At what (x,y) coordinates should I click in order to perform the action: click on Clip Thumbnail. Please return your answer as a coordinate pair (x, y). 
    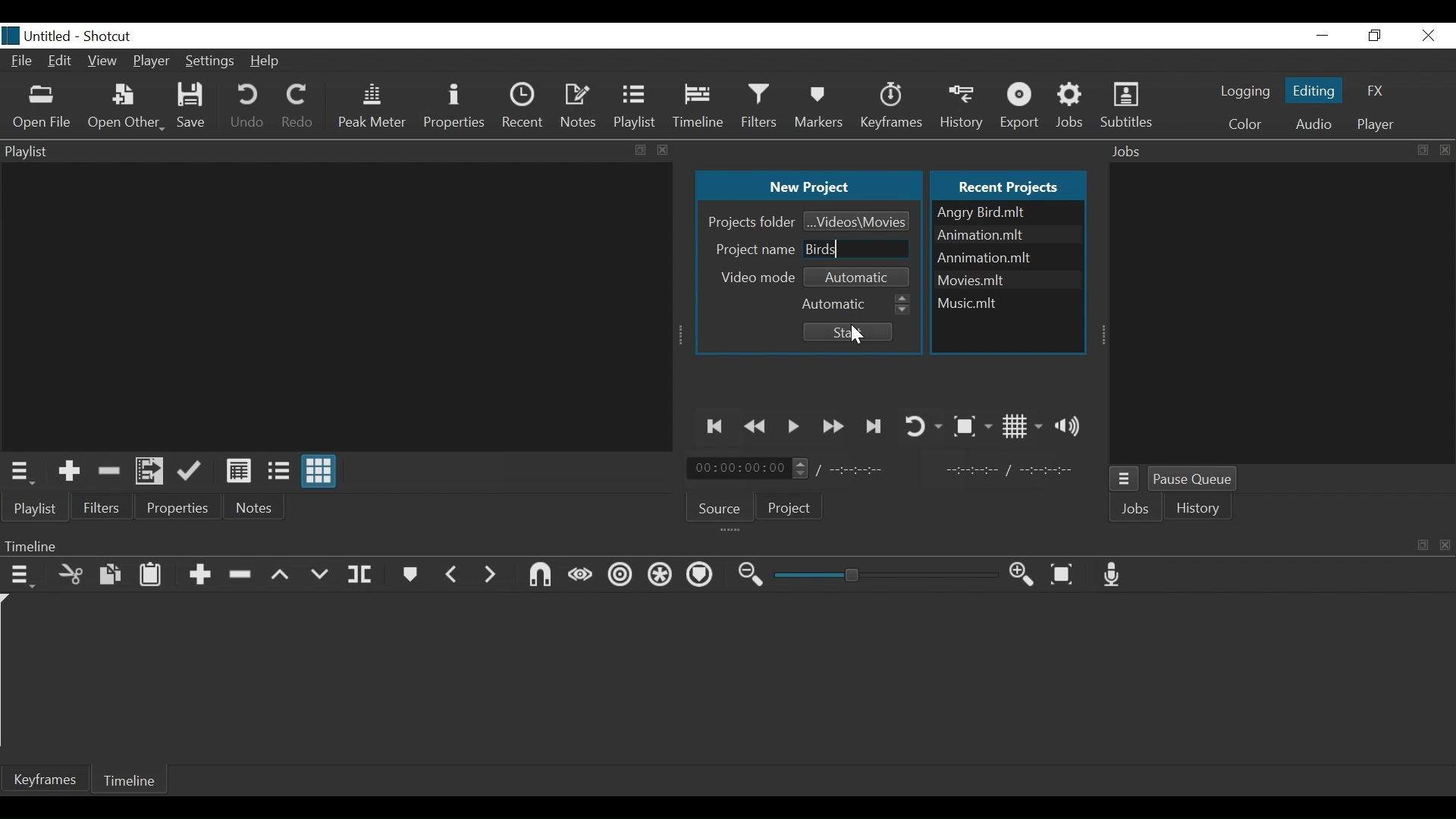
    Looking at the image, I should click on (332, 306).